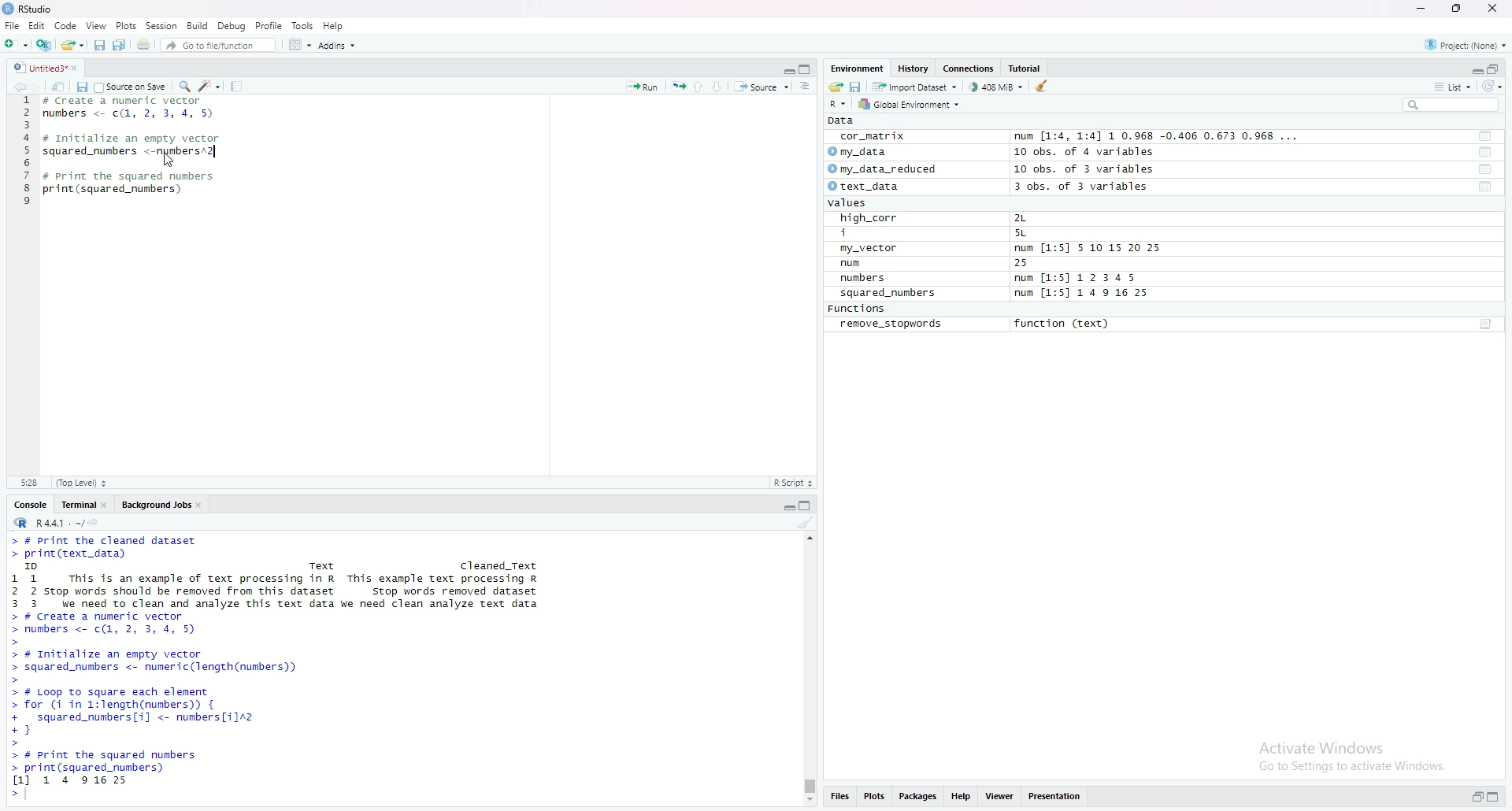 The image size is (1512, 811). What do you see at coordinates (126, 25) in the screenshot?
I see `Plots` at bounding box center [126, 25].